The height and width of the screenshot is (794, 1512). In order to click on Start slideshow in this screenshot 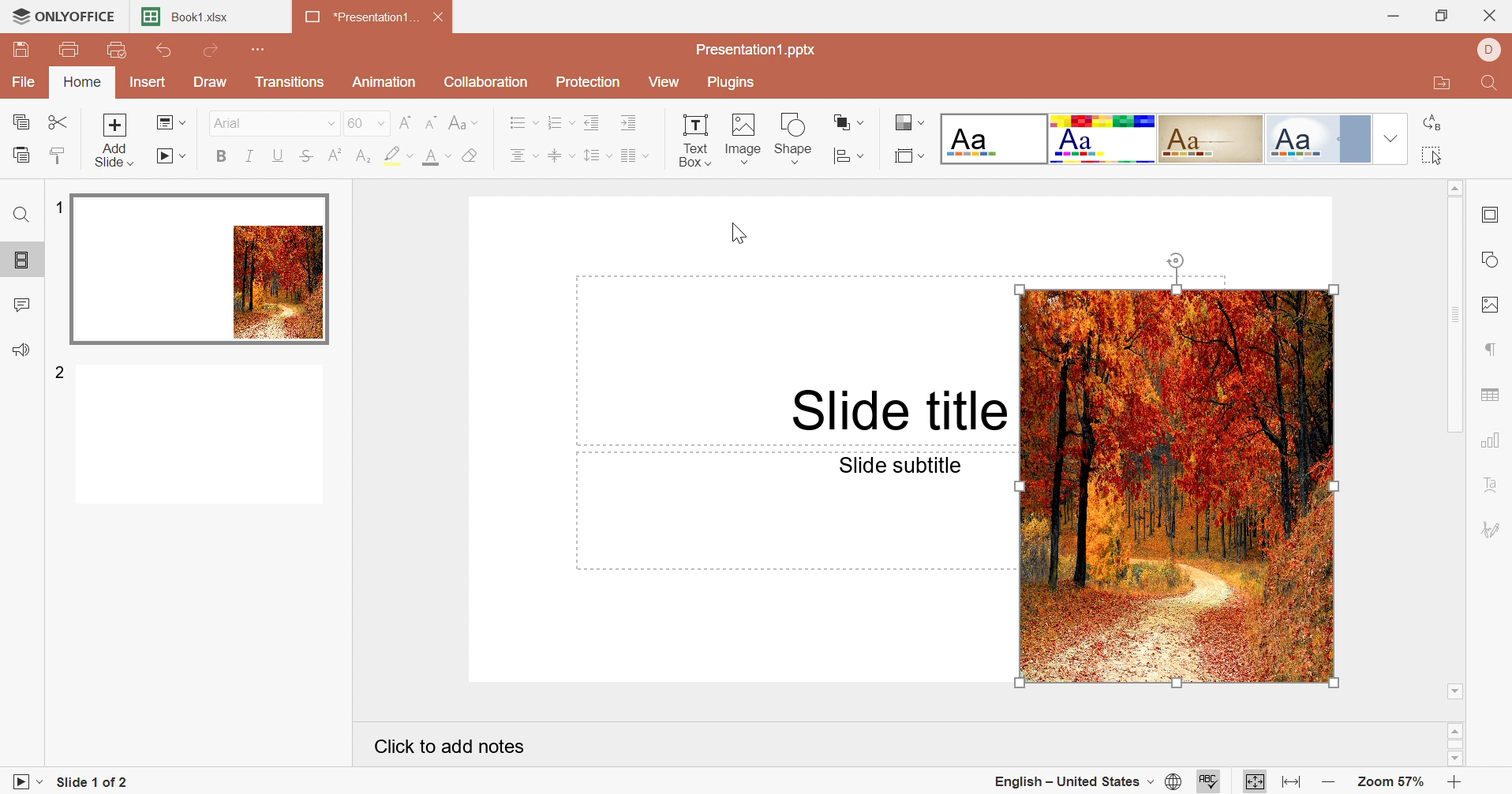, I will do `click(23, 780)`.